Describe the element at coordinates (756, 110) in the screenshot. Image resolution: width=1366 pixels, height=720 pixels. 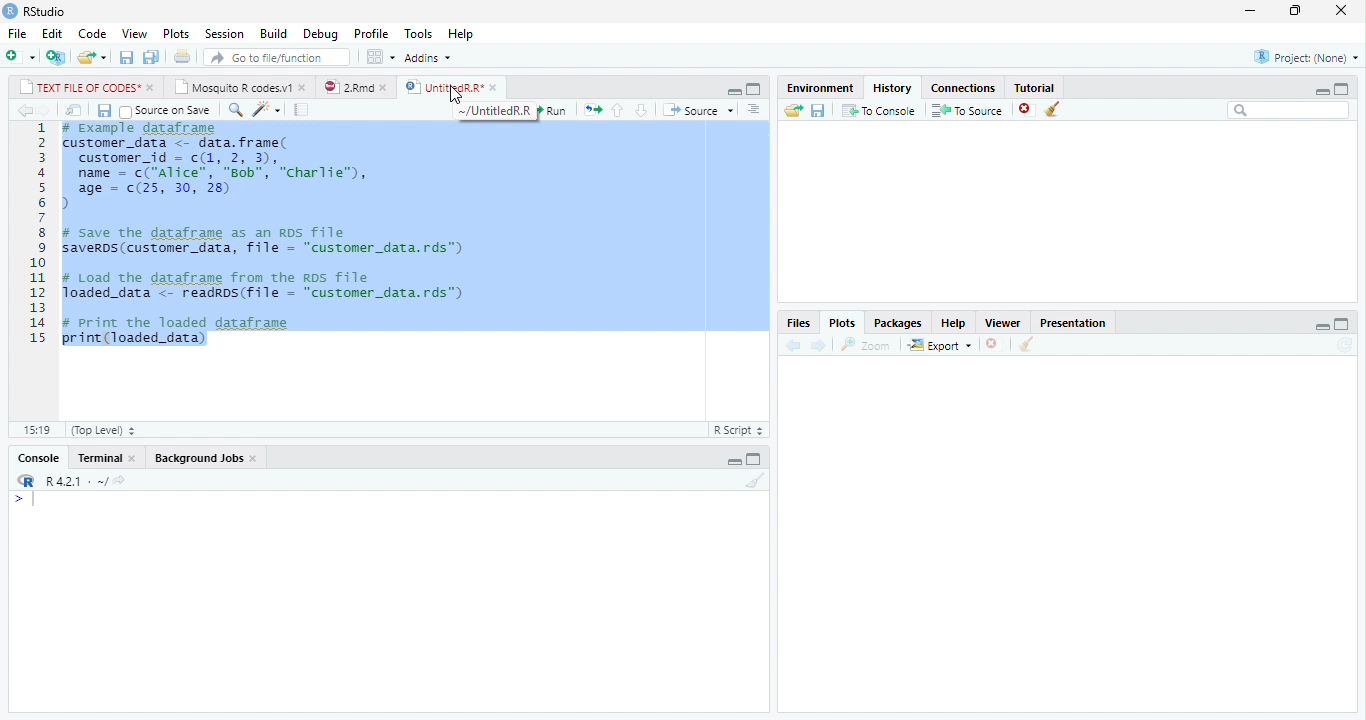
I see `options` at that location.